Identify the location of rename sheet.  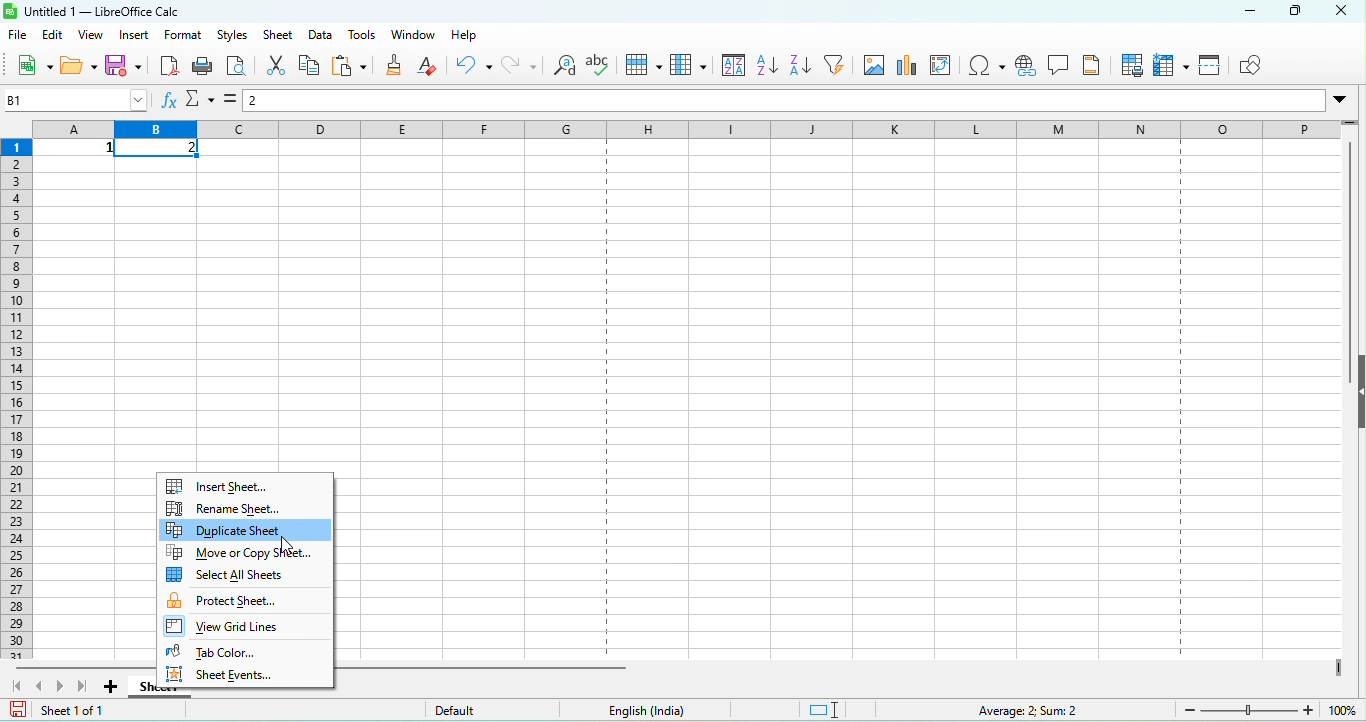
(245, 508).